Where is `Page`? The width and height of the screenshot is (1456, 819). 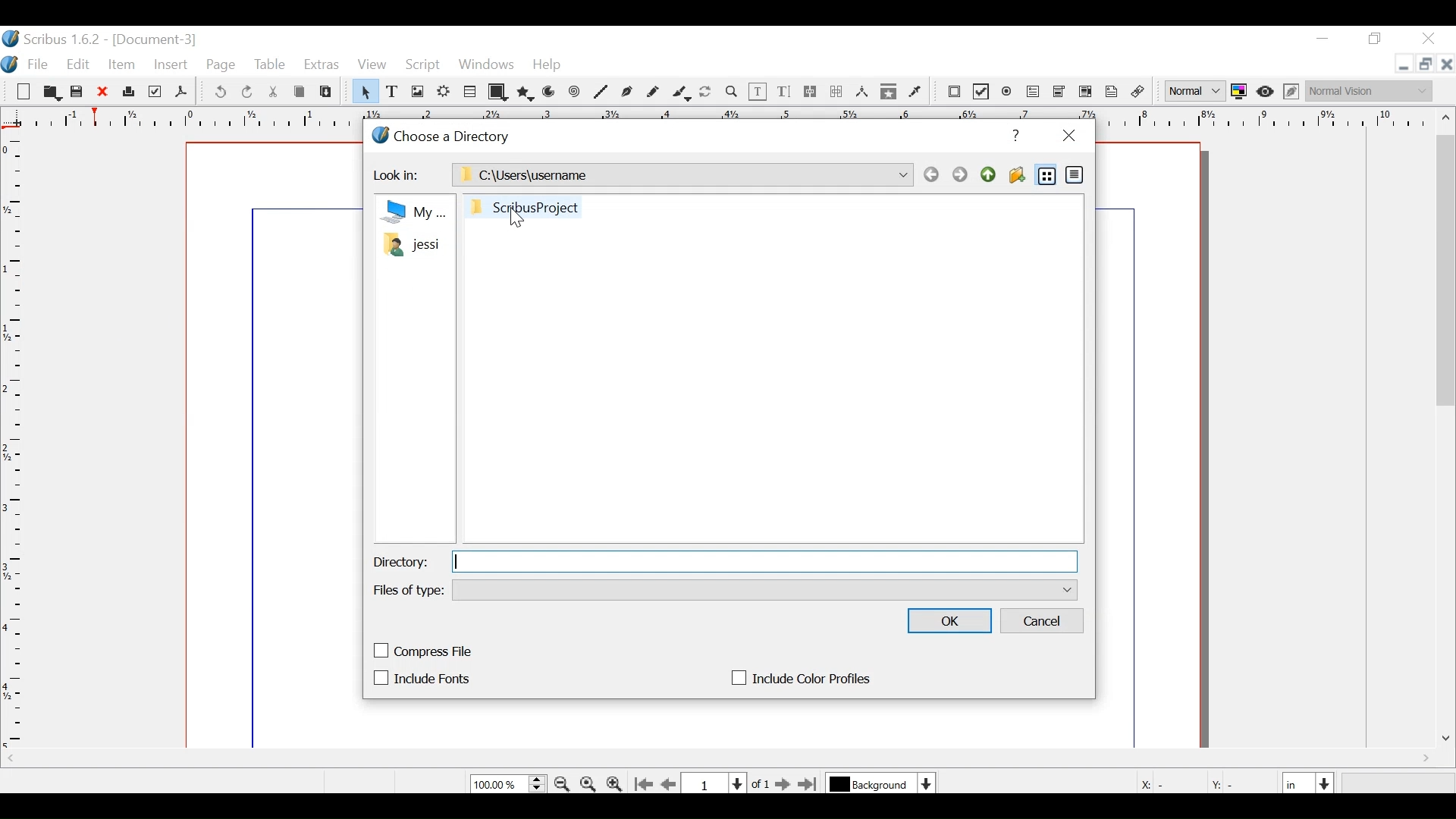
Page is located at coordinates (222, 67).